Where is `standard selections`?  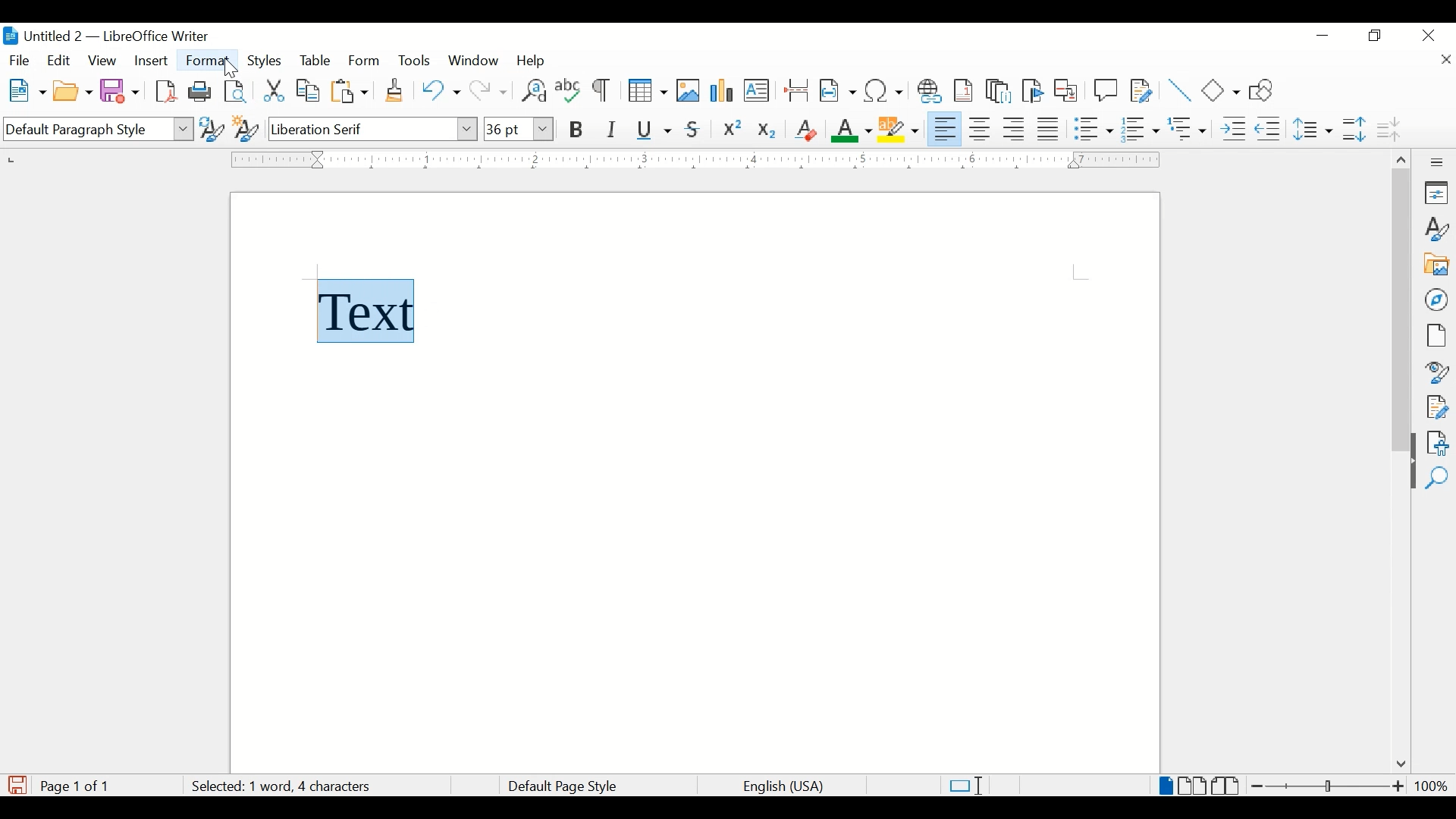
standard selections is located at coordinates (965, 785).